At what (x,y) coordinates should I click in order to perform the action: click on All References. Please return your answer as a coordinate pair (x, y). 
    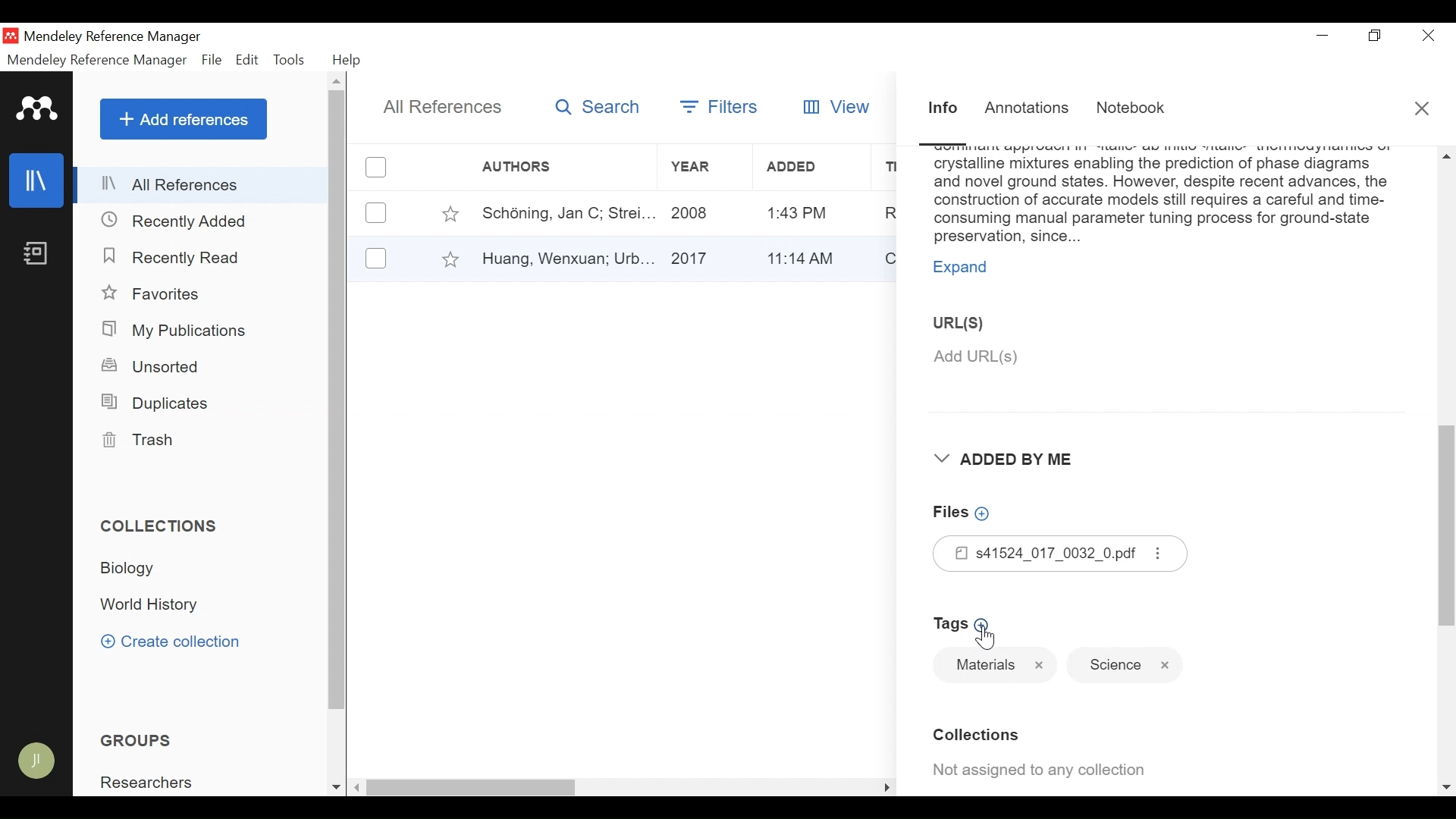
    Looking at the image, I should click on (202, 184).